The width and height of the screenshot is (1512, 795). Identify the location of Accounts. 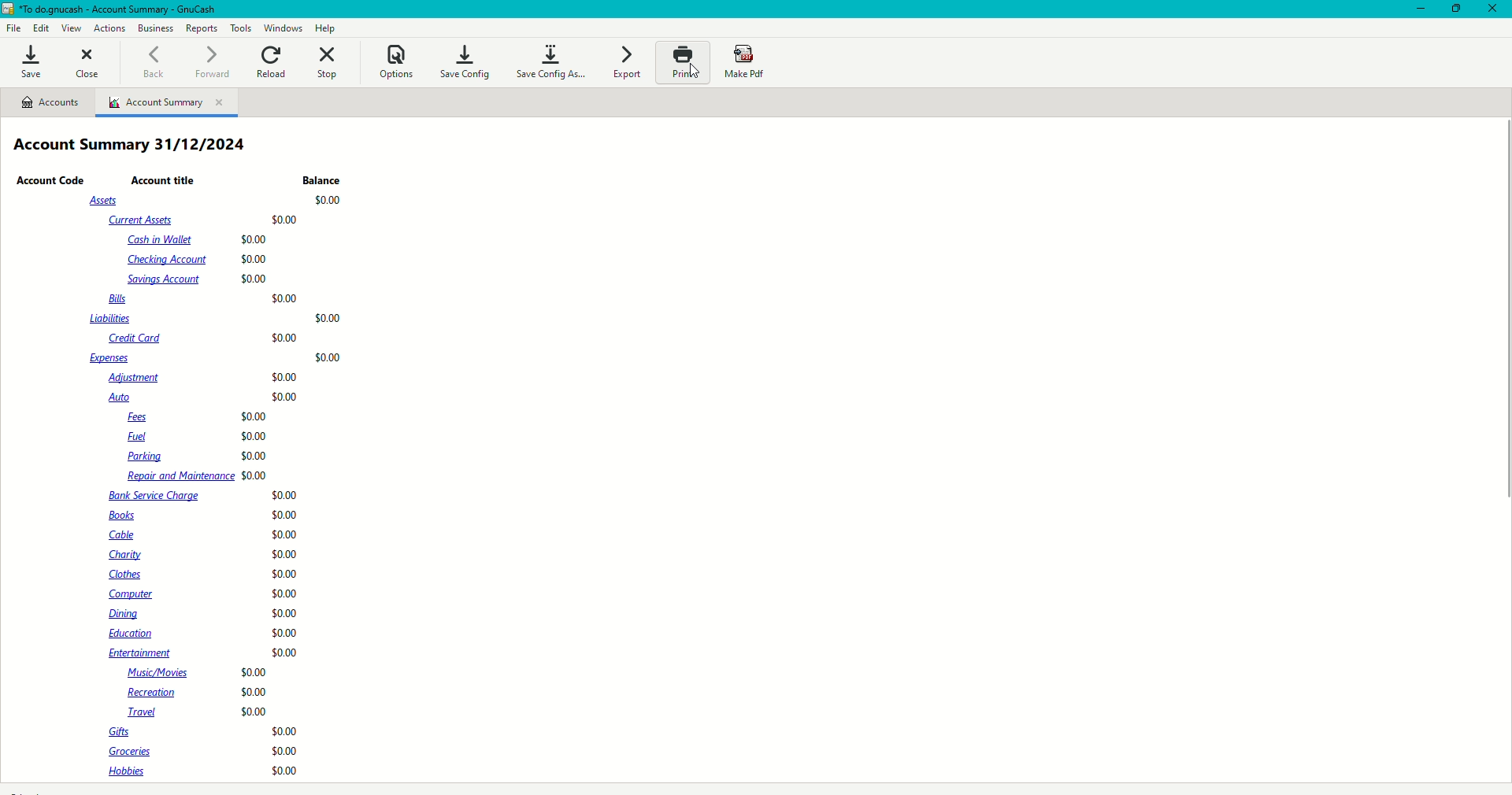
(54, 105).